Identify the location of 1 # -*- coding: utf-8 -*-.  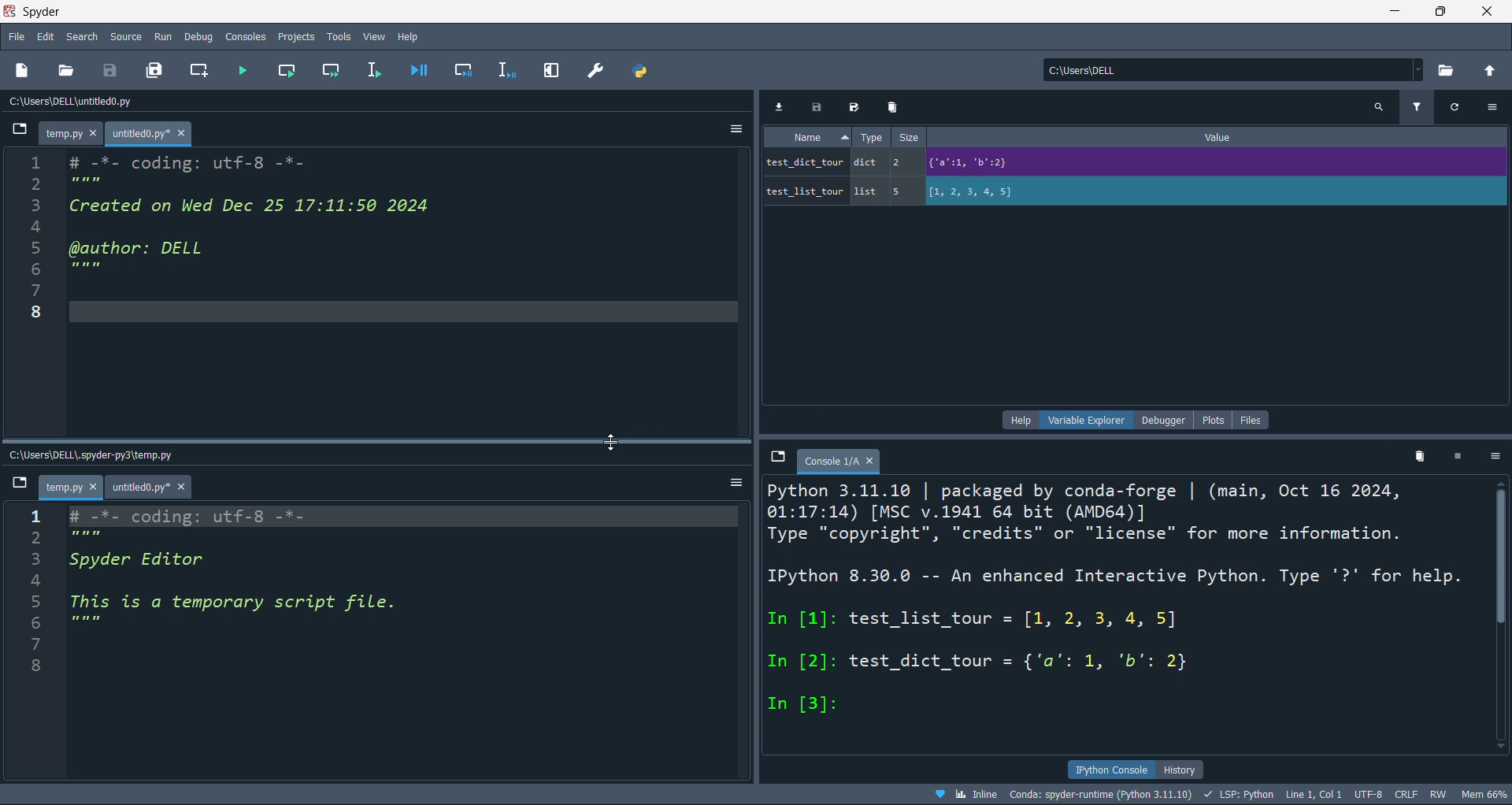
(169, 160).